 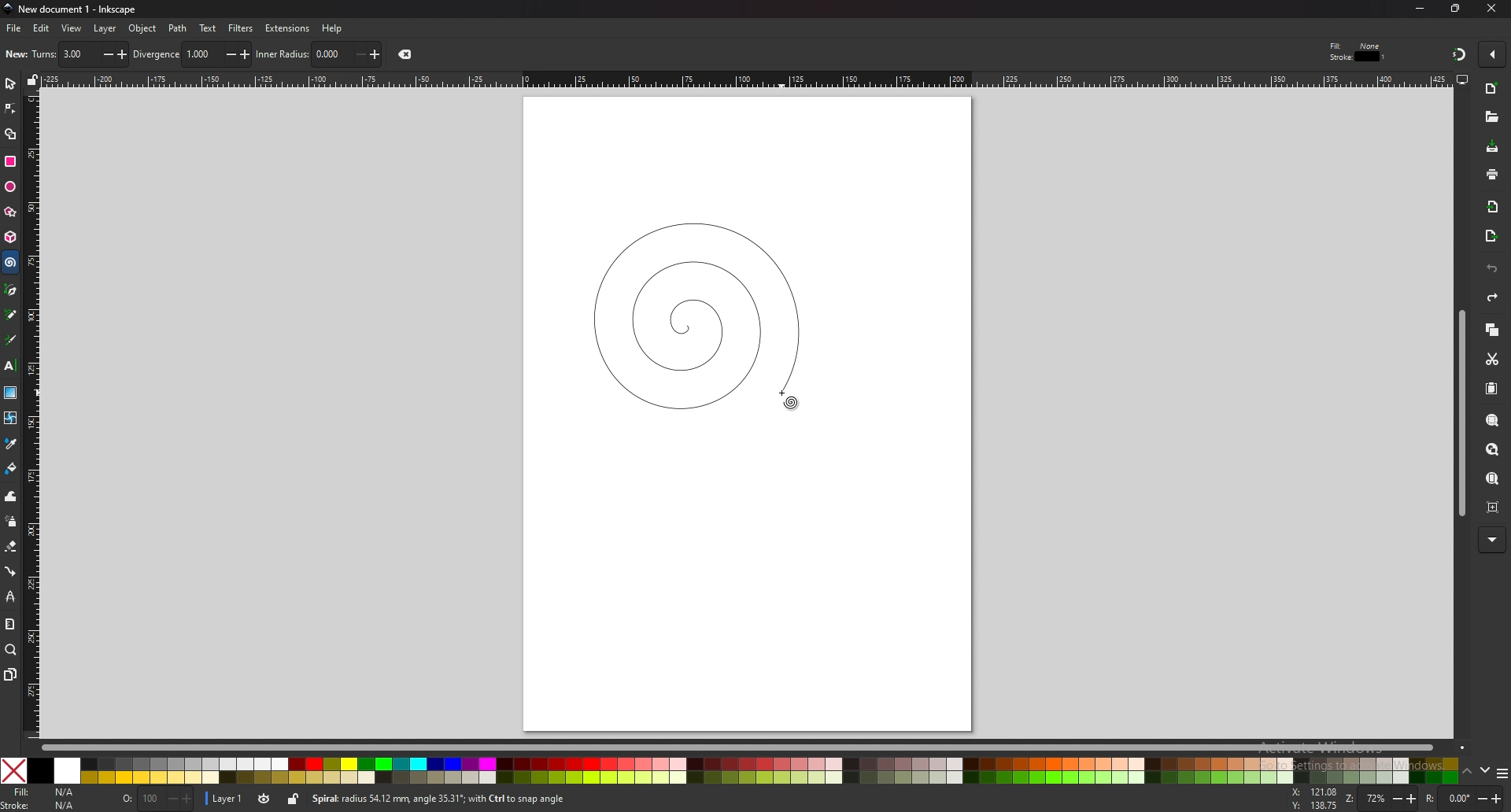 What do you see at coordinates (12, 444) in the screenshot?
I see `dropper` at bounding box center [12, 444].